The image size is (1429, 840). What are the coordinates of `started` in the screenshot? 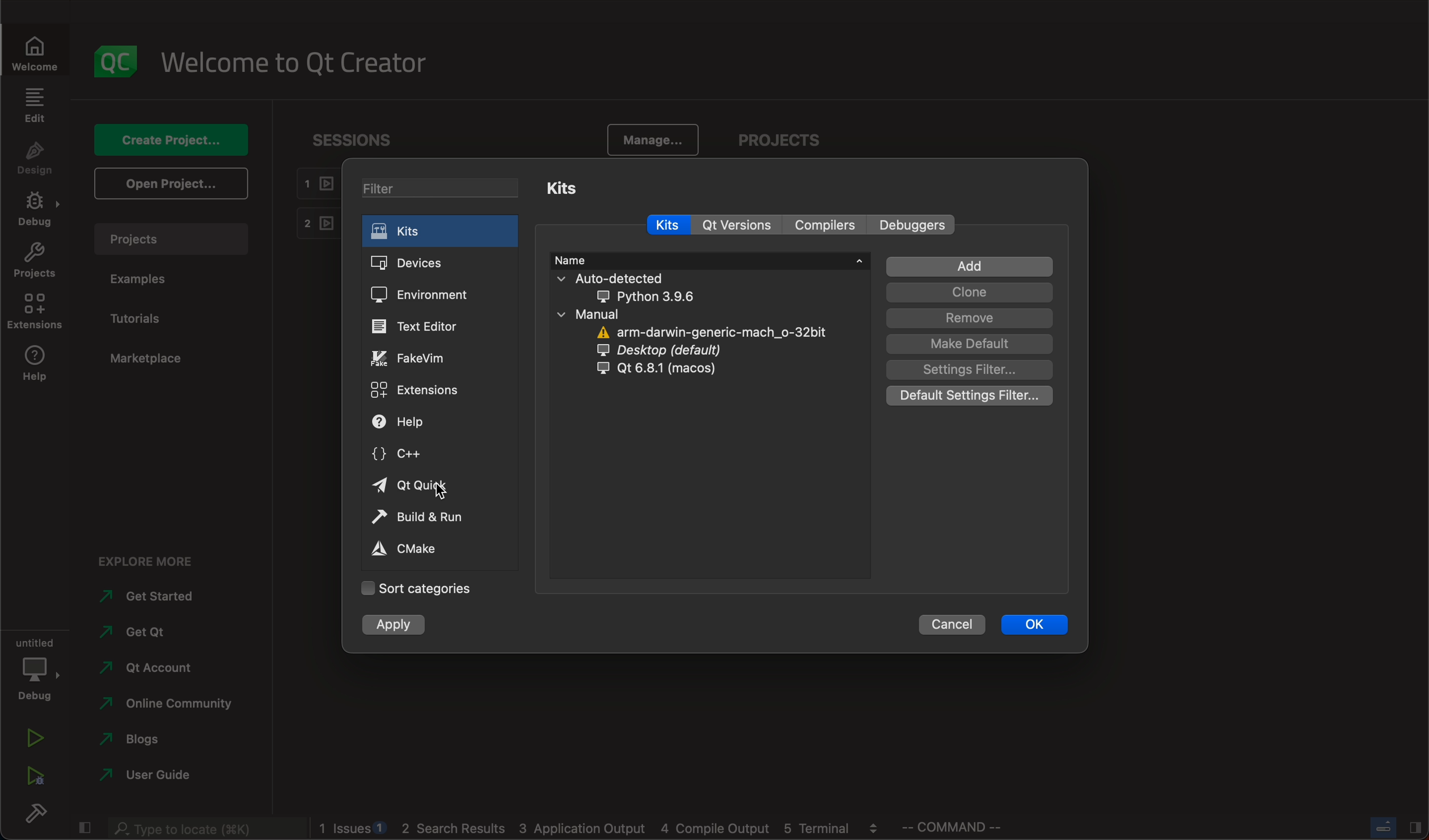 It's located at (150, 597).